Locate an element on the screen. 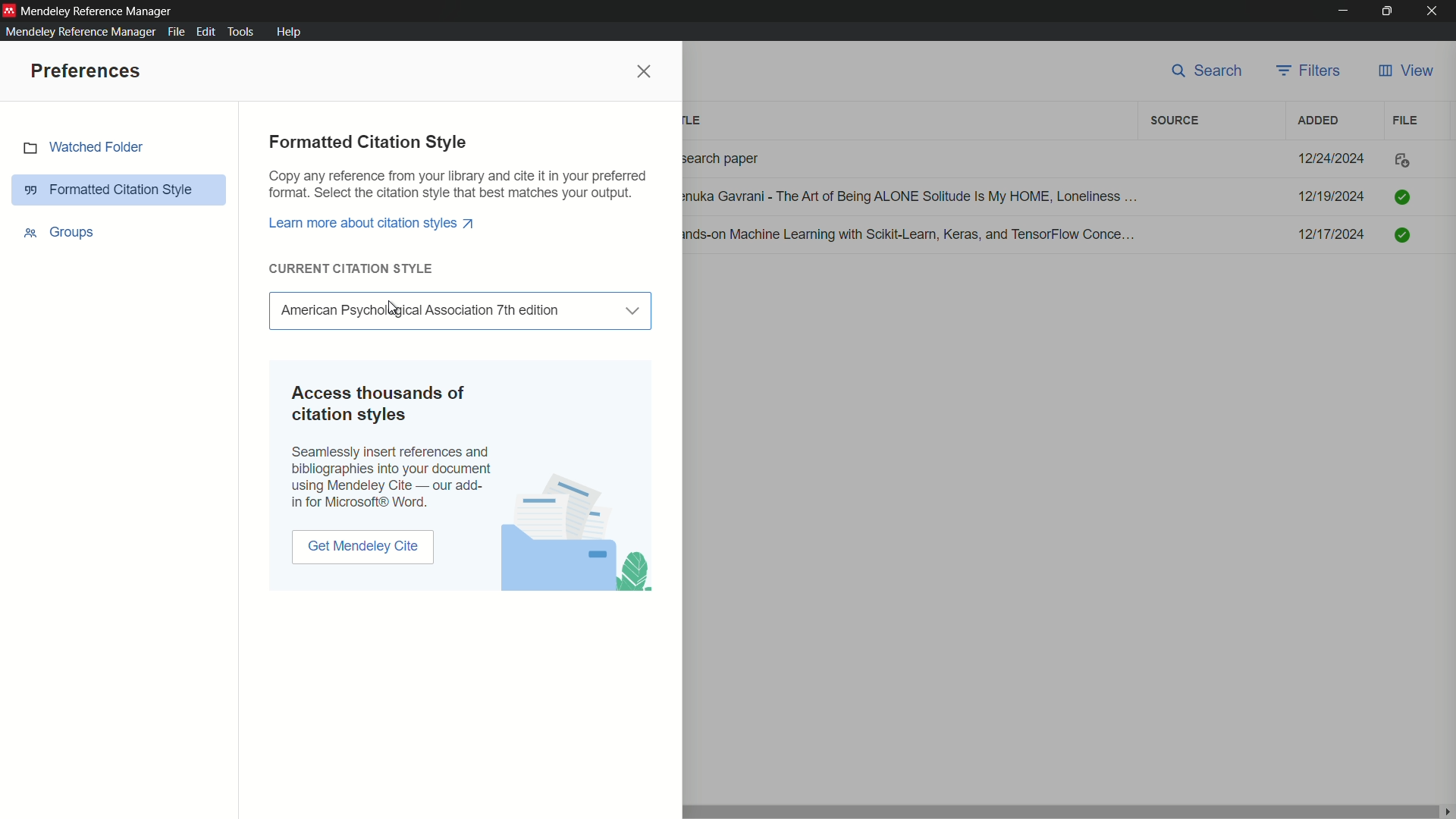  groups is located at coordinates (58, 233).